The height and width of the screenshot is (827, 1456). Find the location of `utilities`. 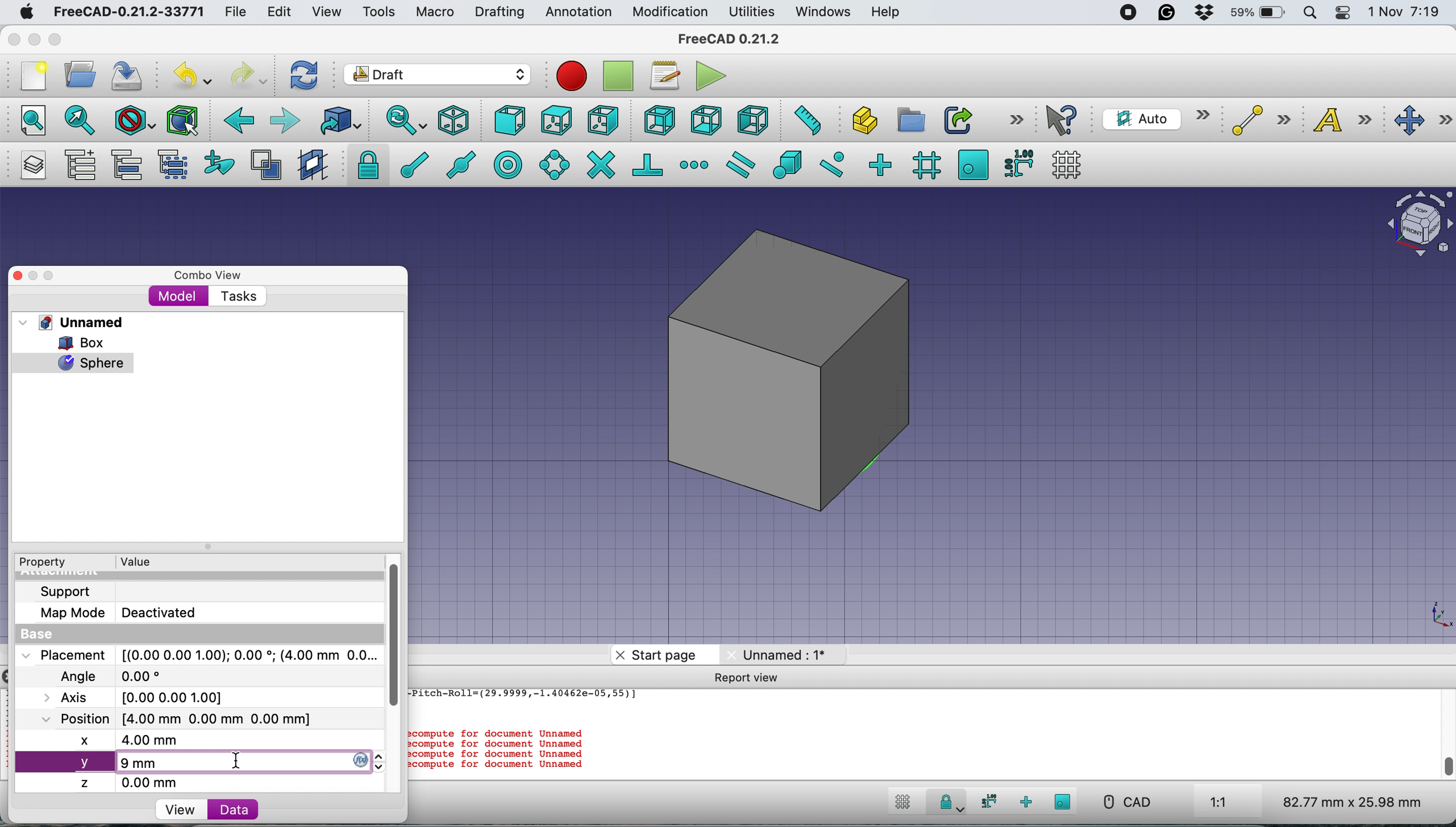

utilities is located at coordinates (753, 12).